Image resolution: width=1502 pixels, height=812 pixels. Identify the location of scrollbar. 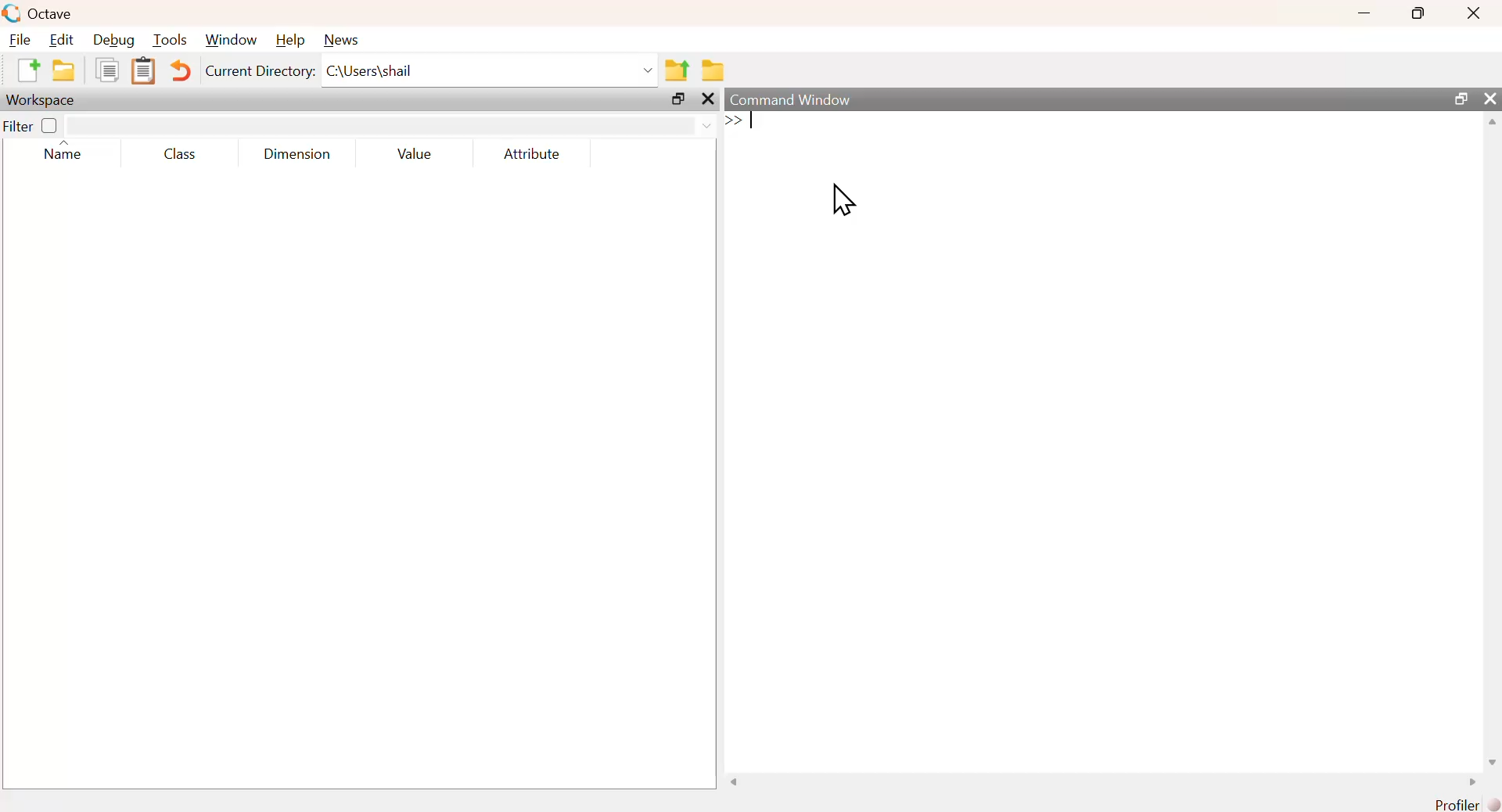
(1493, 441).